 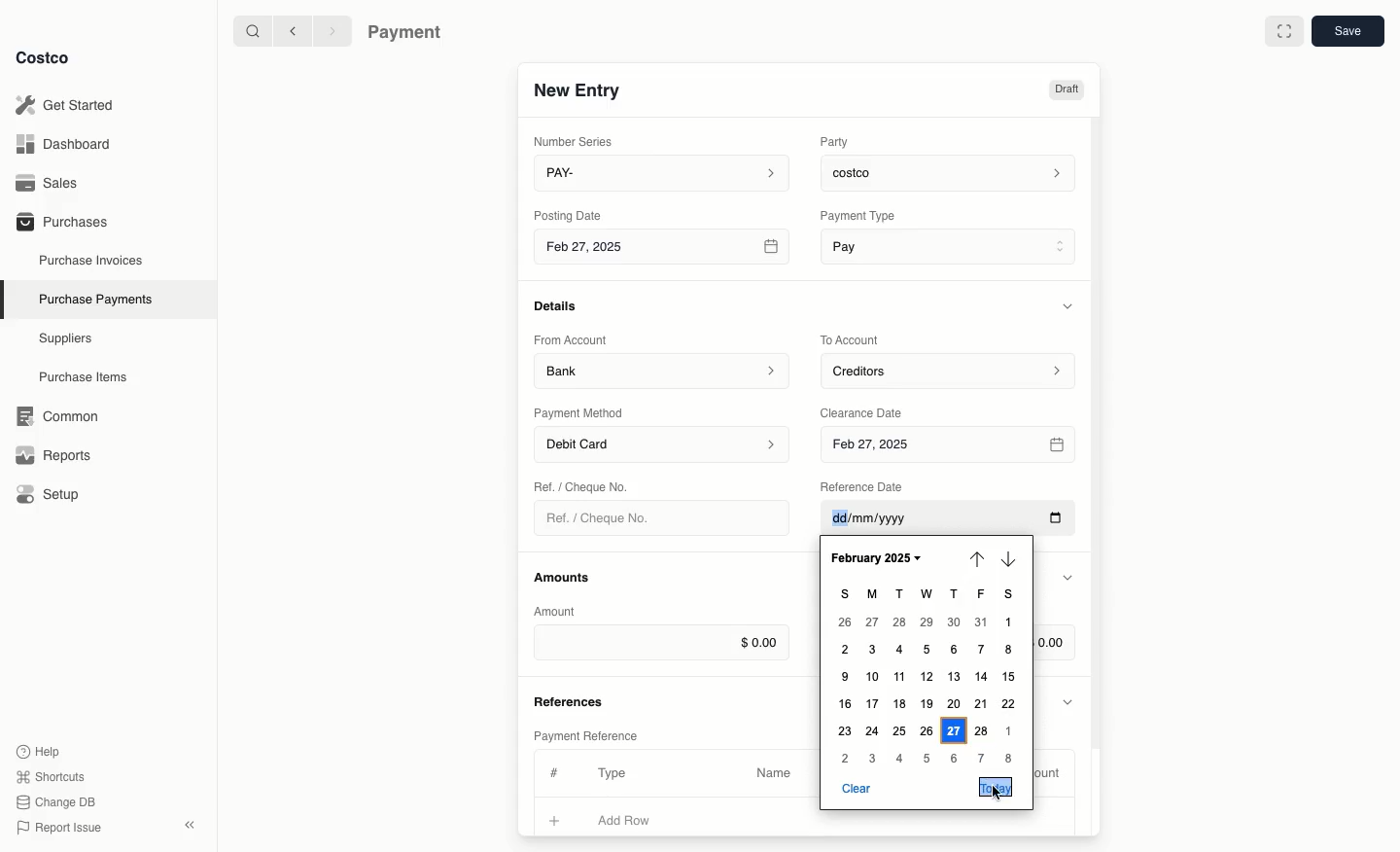 I want to click on Sales, so click(x=53, y=183).